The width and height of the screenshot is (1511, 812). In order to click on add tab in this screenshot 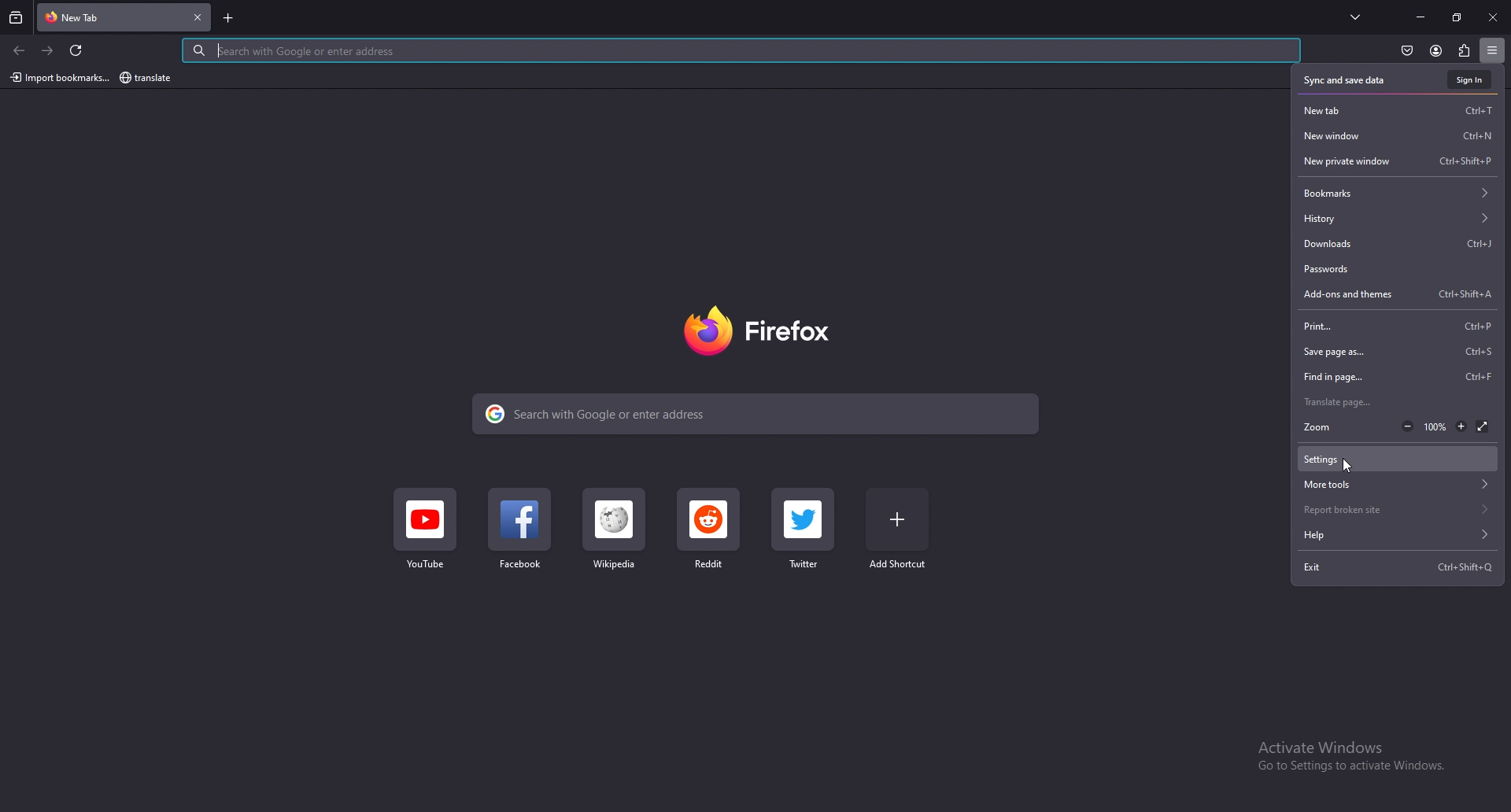, I will do `click(229, 18)`.